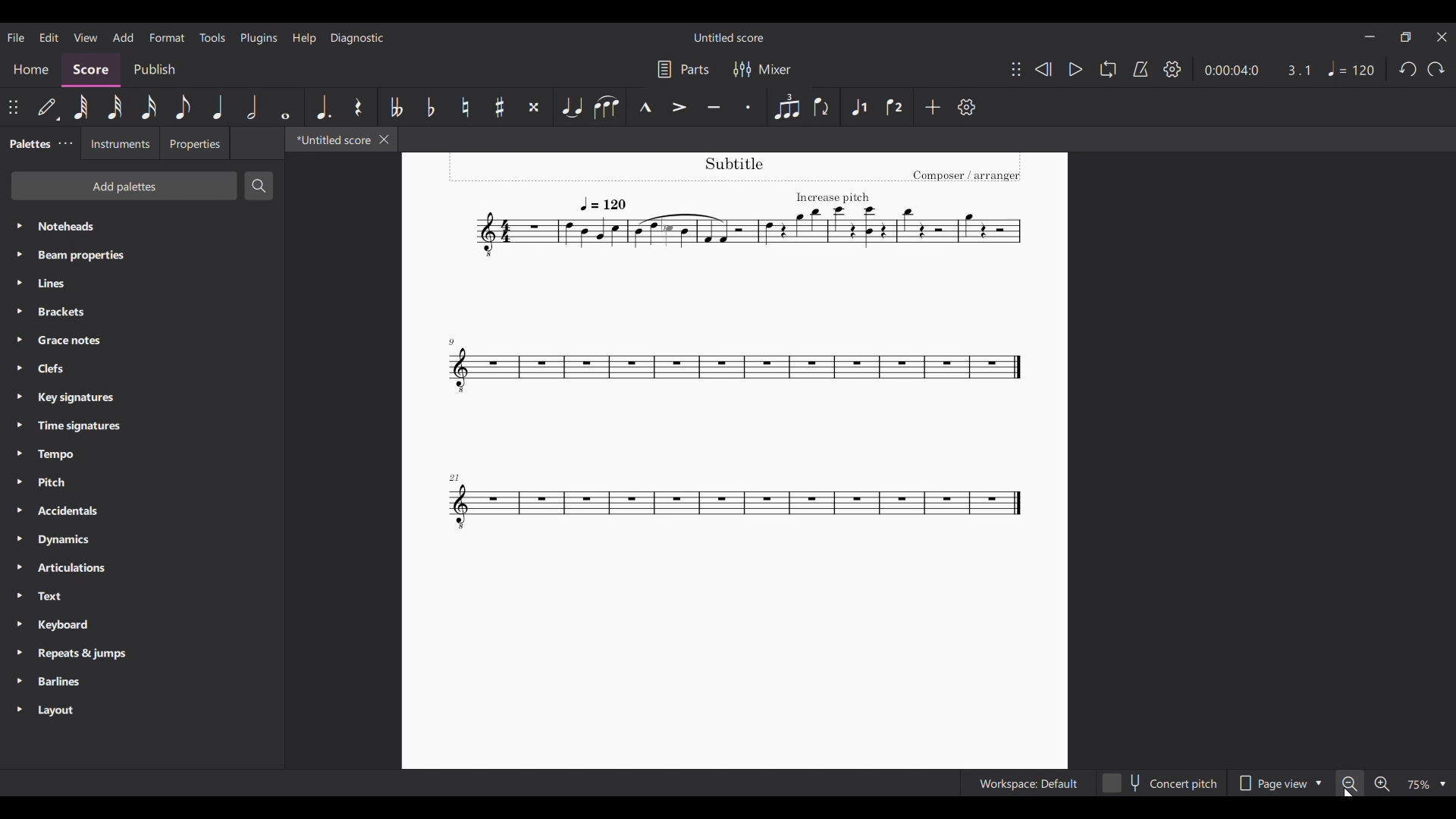 This screenshot has height=819, width=1456. What do you see at coordinates (684, 70) in the screenshot?
I see `Parts settings` at bounding box center [684, 70].